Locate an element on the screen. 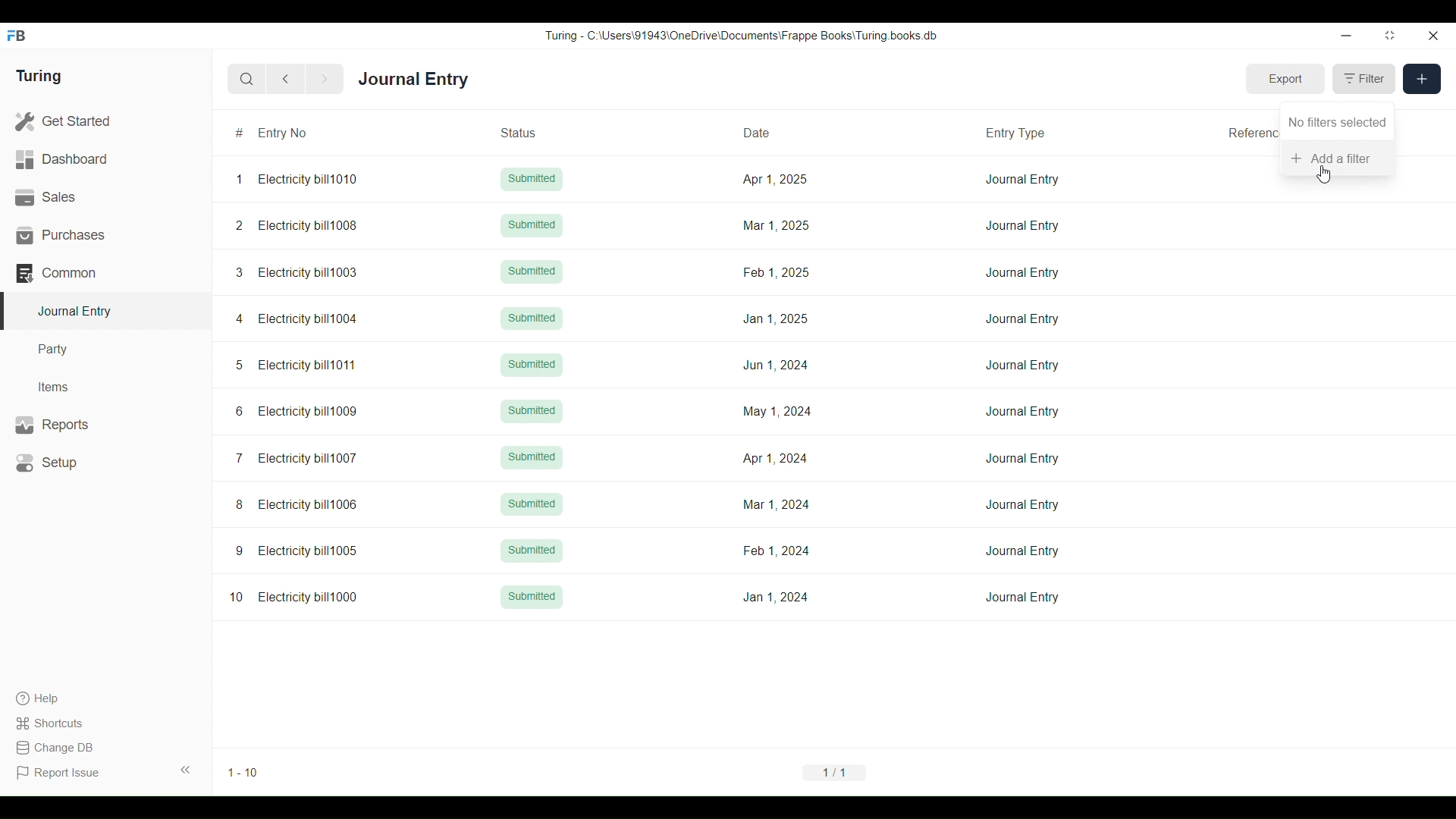 The height and width of the screenshot is (819, 1456). Feb 1, 2025 is located at coordinates (777, 271).